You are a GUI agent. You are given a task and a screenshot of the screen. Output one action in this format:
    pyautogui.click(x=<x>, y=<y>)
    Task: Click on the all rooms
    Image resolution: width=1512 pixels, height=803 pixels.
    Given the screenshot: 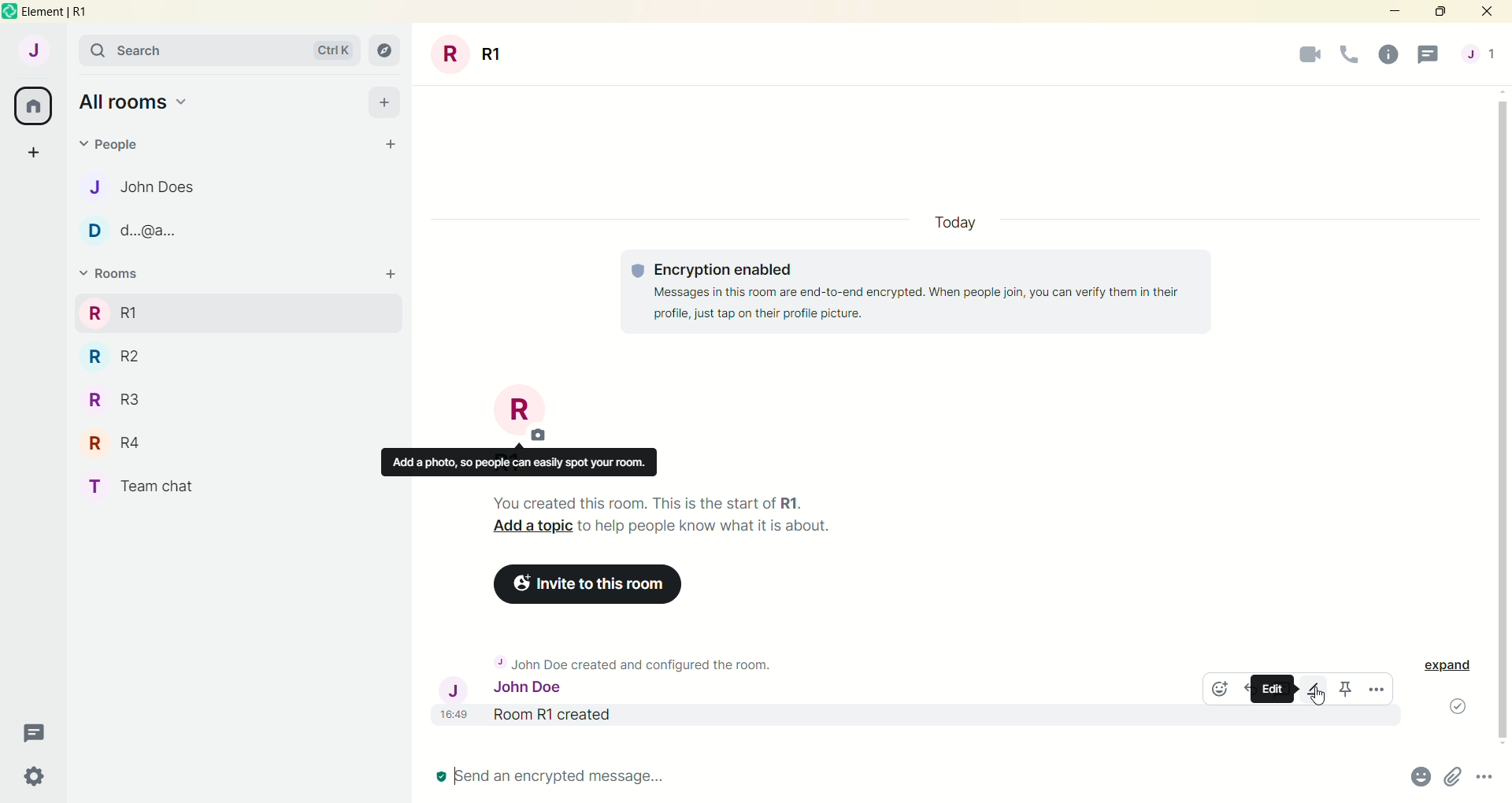 What is the action you would take?
    pyautogui.click(x=34, y=106)
    